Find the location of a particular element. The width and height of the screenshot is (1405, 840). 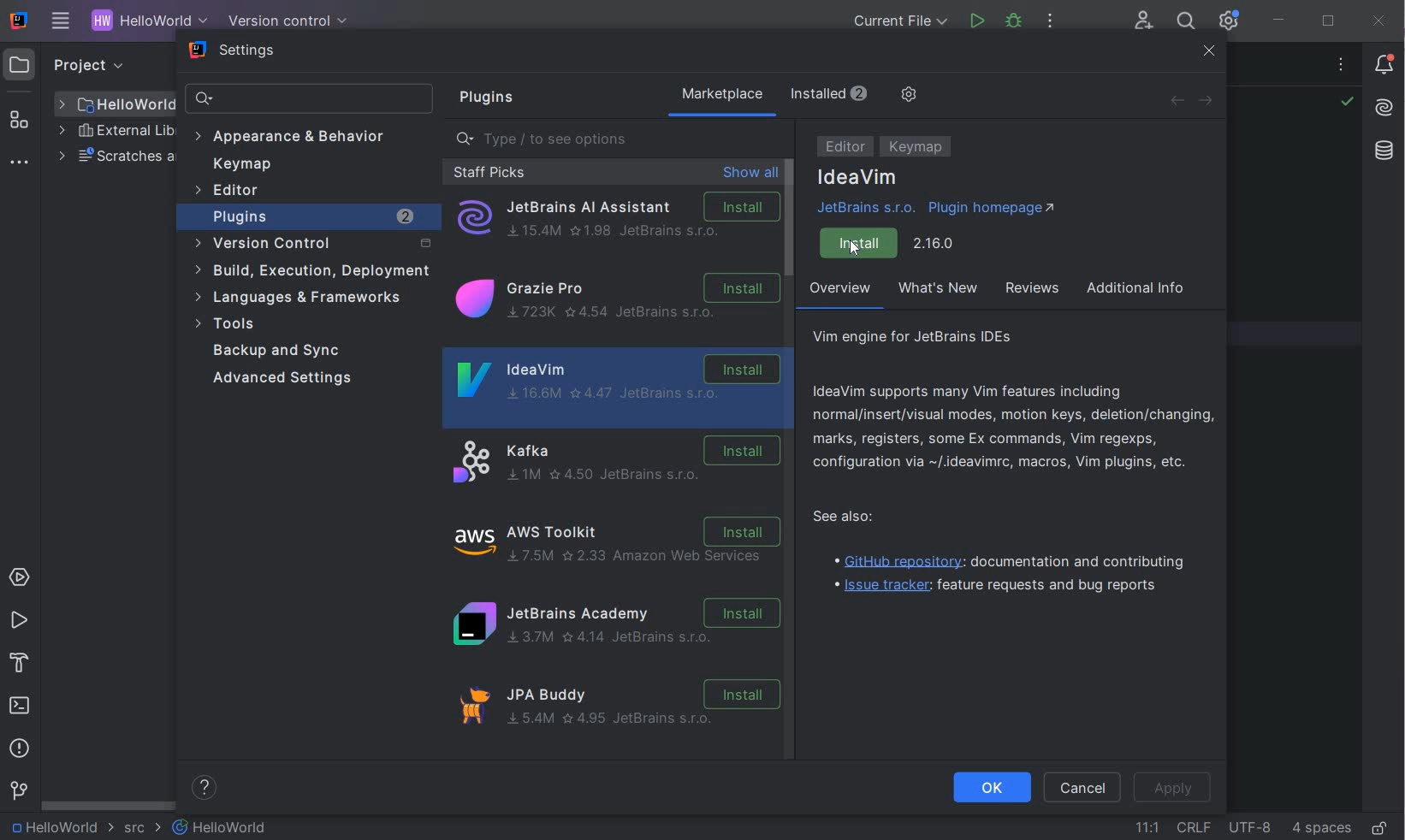

JetBrains ACADEMY Installation is located at coordinates (614, 625).